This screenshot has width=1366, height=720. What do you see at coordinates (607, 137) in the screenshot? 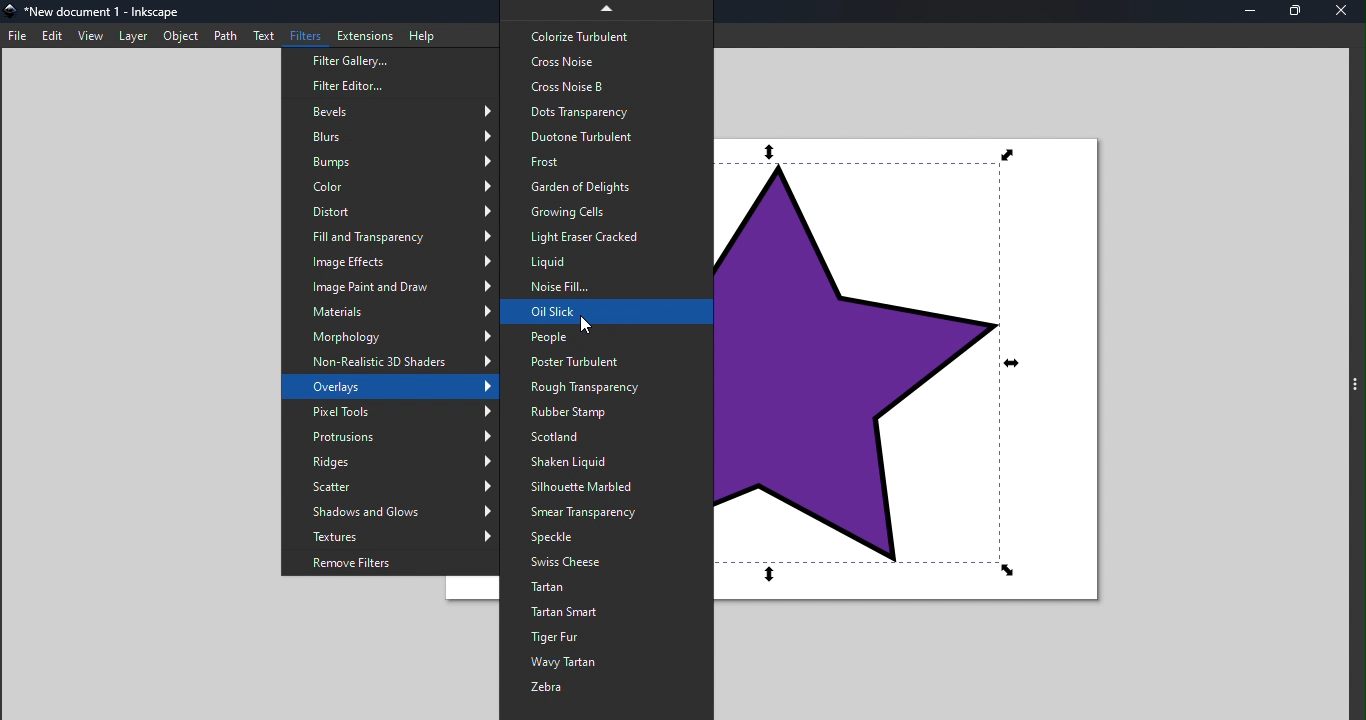
I see `Duotone turbulent` at bounding box center [607, 137].